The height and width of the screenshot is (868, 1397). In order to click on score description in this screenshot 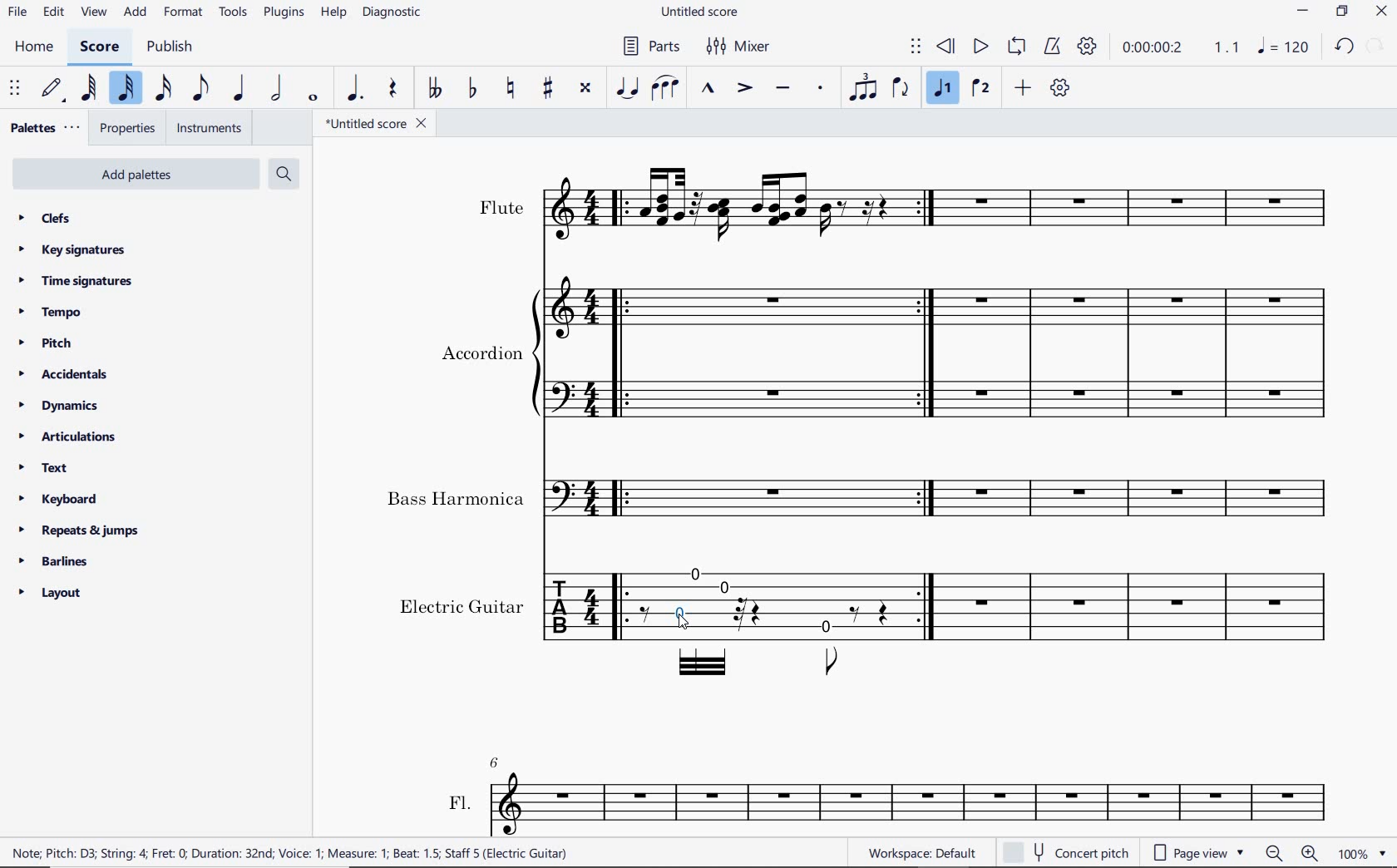, I will do `click(290, 855)`.